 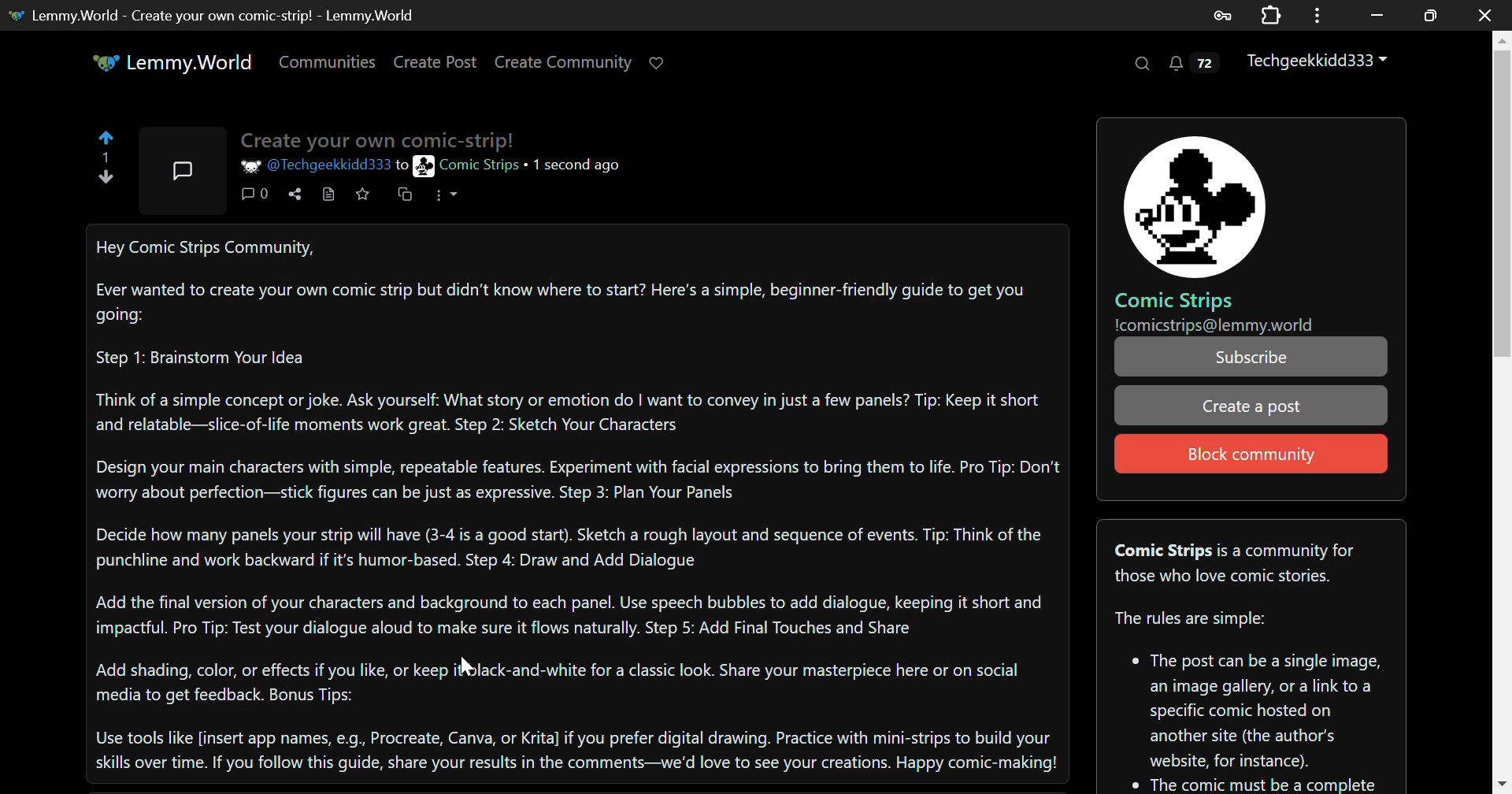 I want to click on Votes Counter, so click(x=107, y=154).